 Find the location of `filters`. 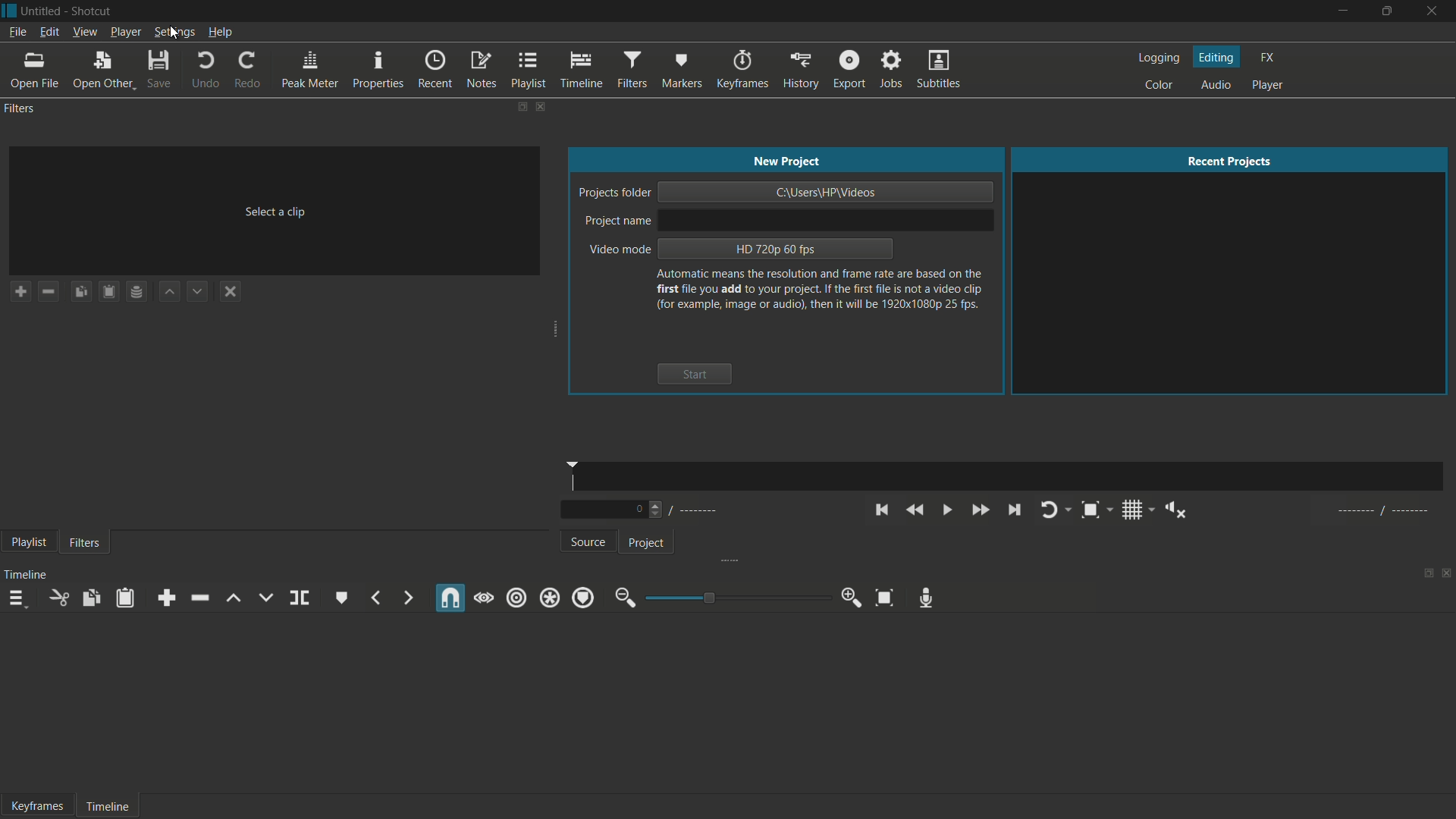

filters is located at coordinates (21, 108).